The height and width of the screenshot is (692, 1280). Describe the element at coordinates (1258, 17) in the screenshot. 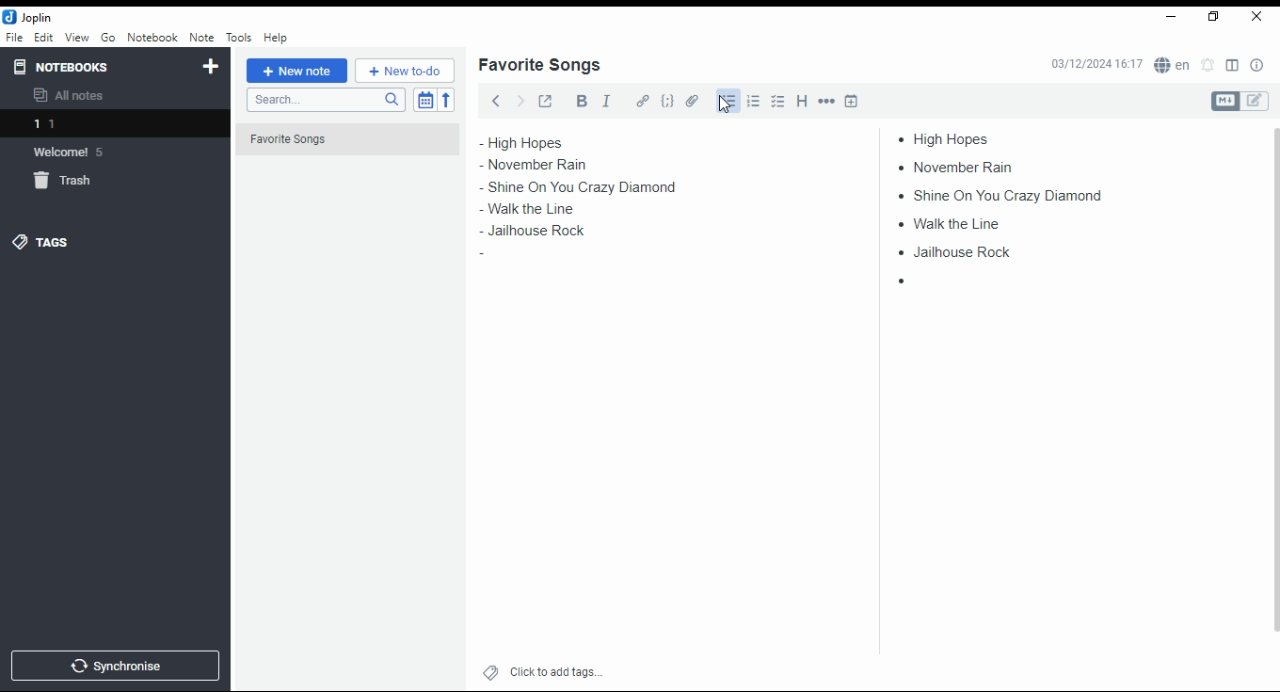

I see `close window` at that location.